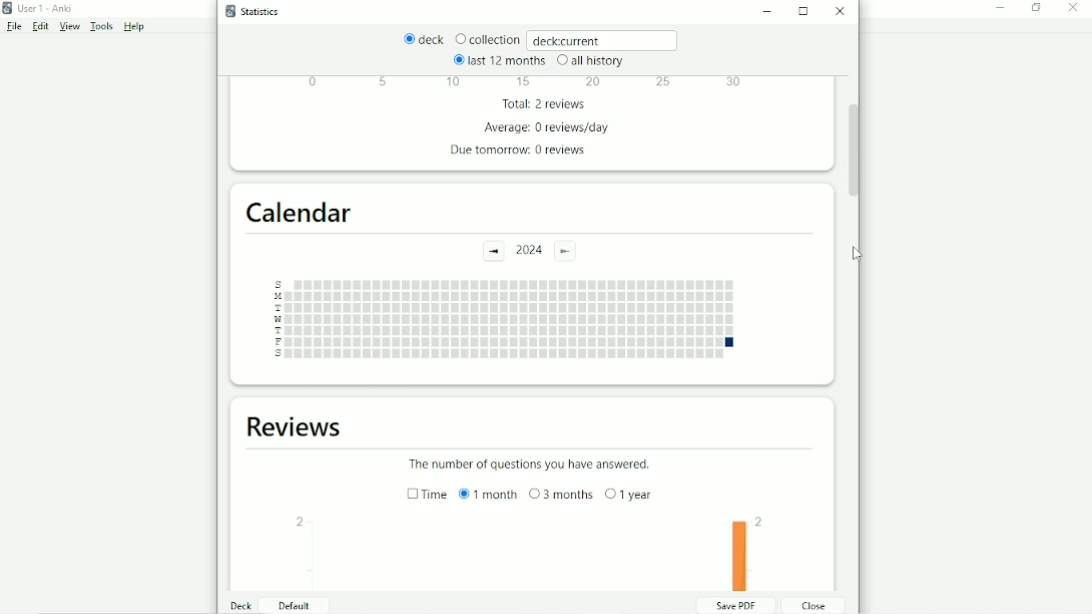 This screenshot has width=1092, height=614. What do you see at coordinates (562, 494) in the screenshot?
I see `3 months` at bounding box center [562, 494].